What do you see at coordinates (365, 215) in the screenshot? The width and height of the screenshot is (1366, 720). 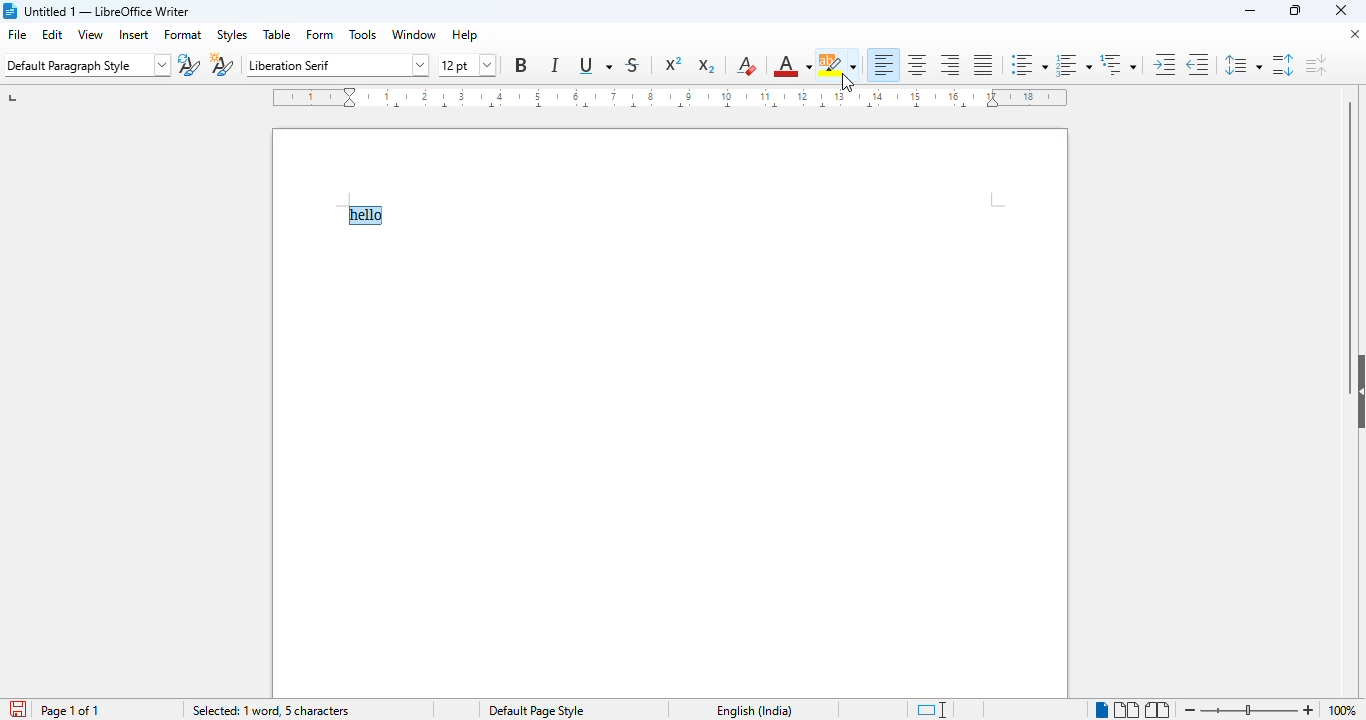 I see `hello` at bounding box center [365, 215].